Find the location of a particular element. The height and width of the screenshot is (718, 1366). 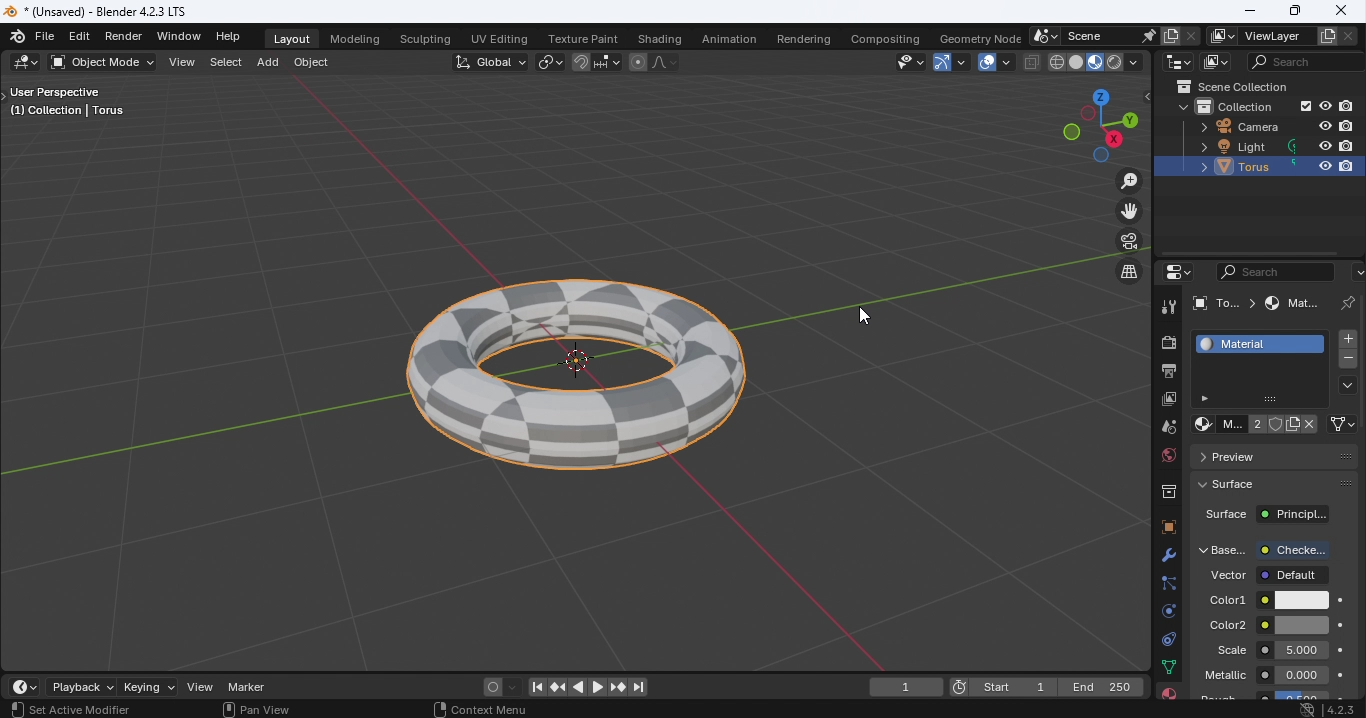

Select view is located at coordinates (21, 709).